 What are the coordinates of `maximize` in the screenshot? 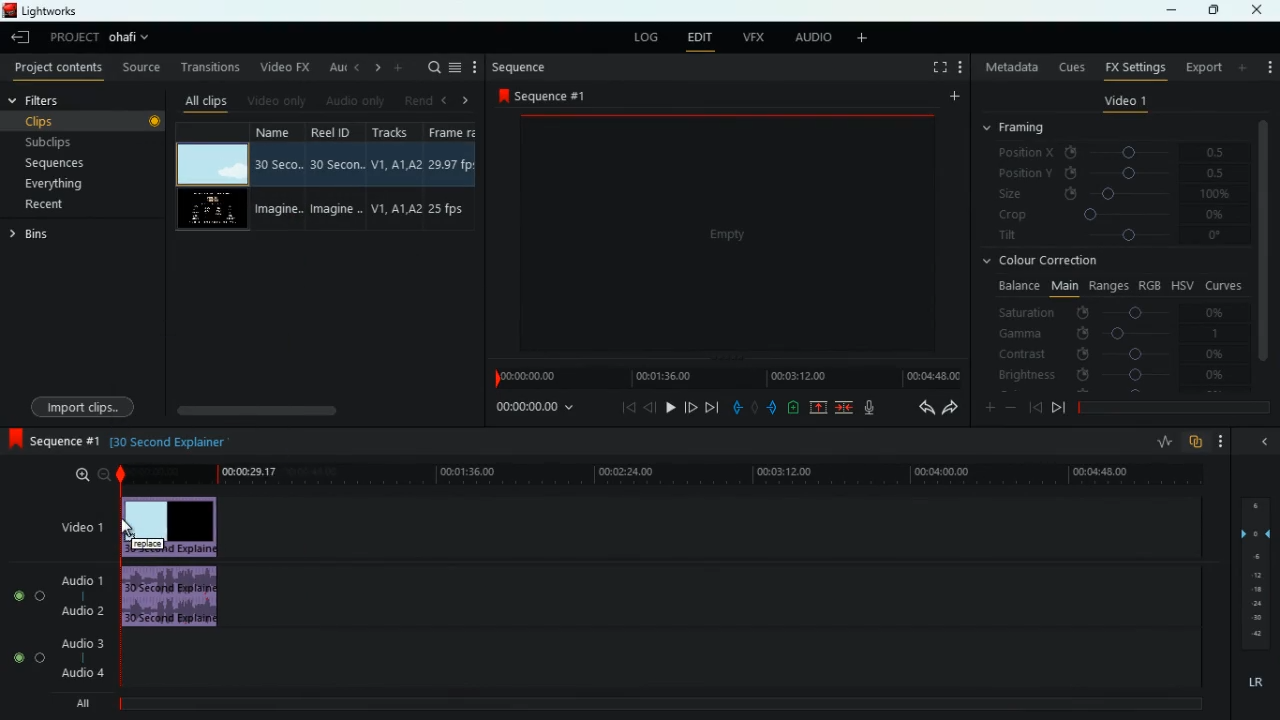 It's located at (1208, 10).